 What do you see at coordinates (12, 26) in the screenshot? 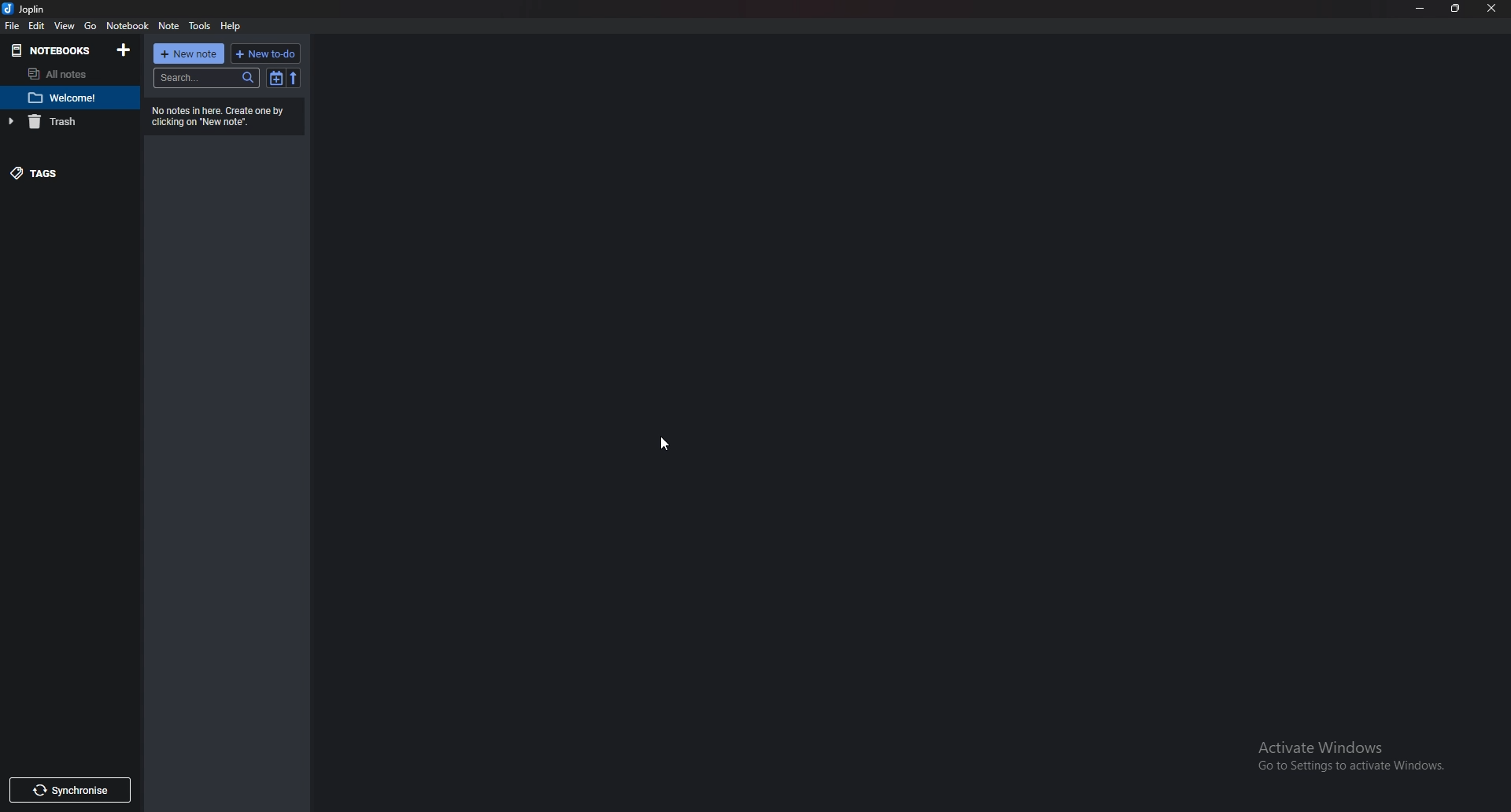
I see `file` at bounding box center [12, 26].